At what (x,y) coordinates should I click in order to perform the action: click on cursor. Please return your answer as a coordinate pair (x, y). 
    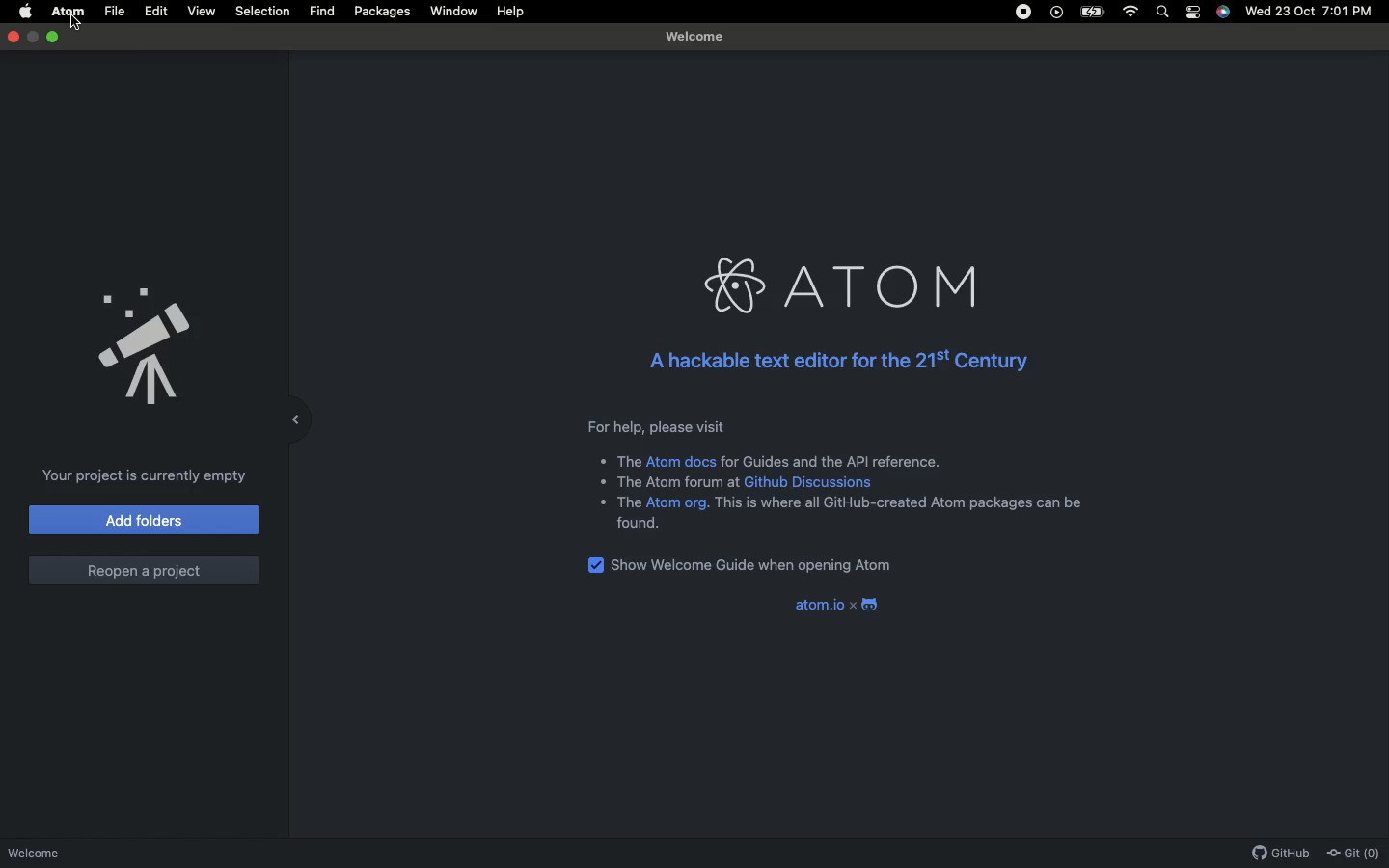
    Looking at the image, I should click on (85, 24).